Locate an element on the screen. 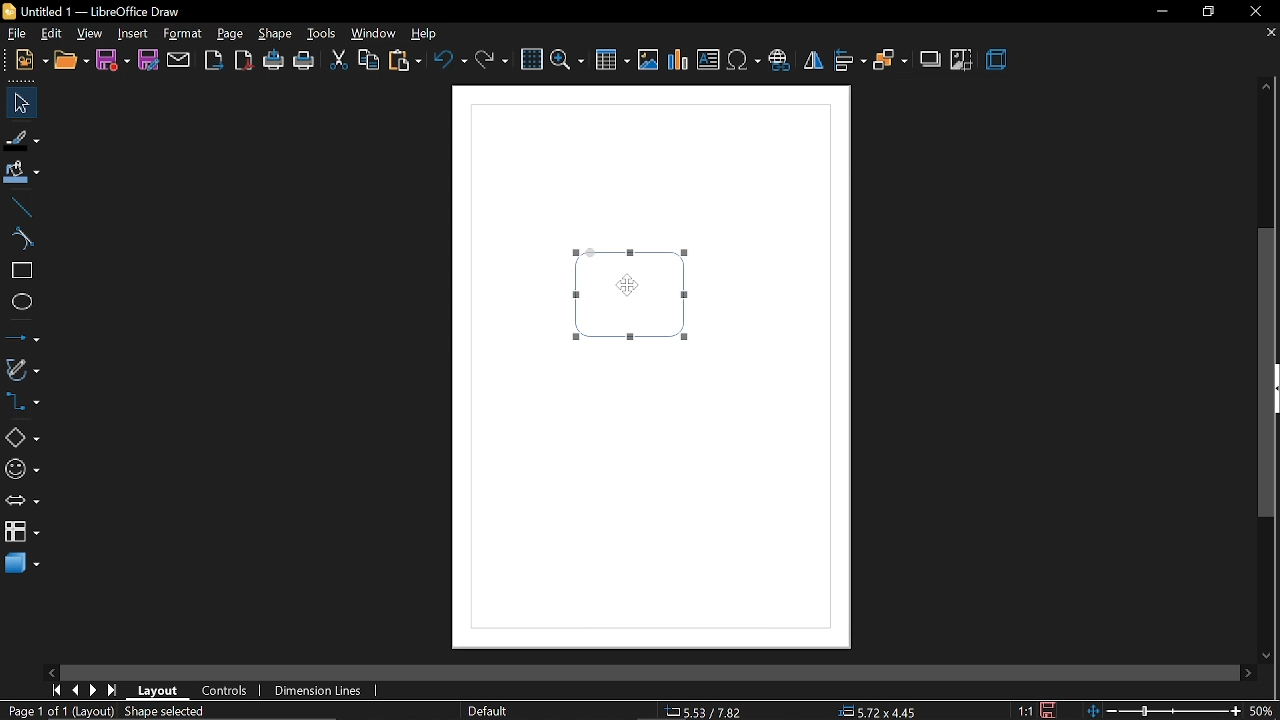  arrange is located at coordinates (889, 63).